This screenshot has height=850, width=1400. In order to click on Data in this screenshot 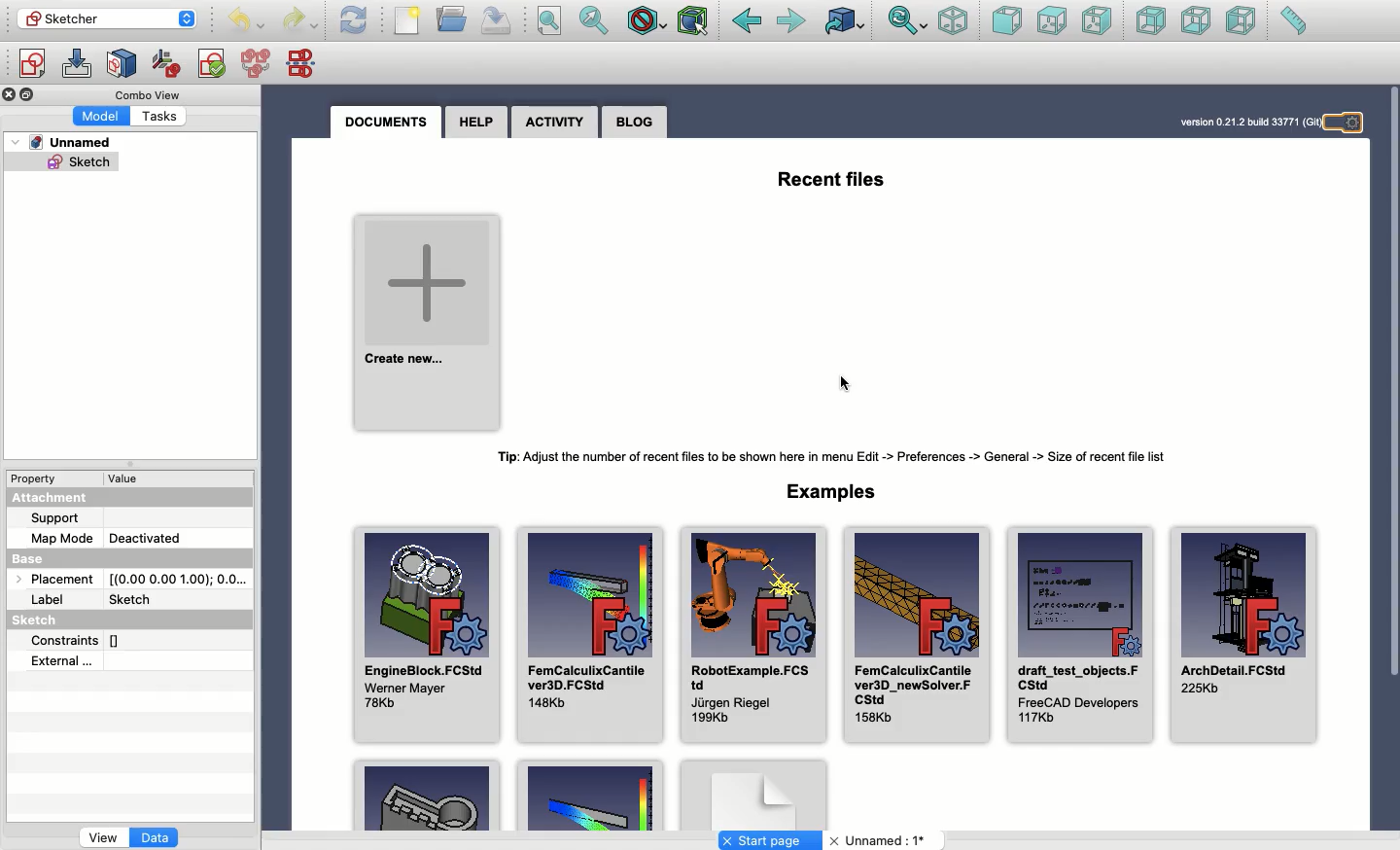, I will do `click(156, 835)`.